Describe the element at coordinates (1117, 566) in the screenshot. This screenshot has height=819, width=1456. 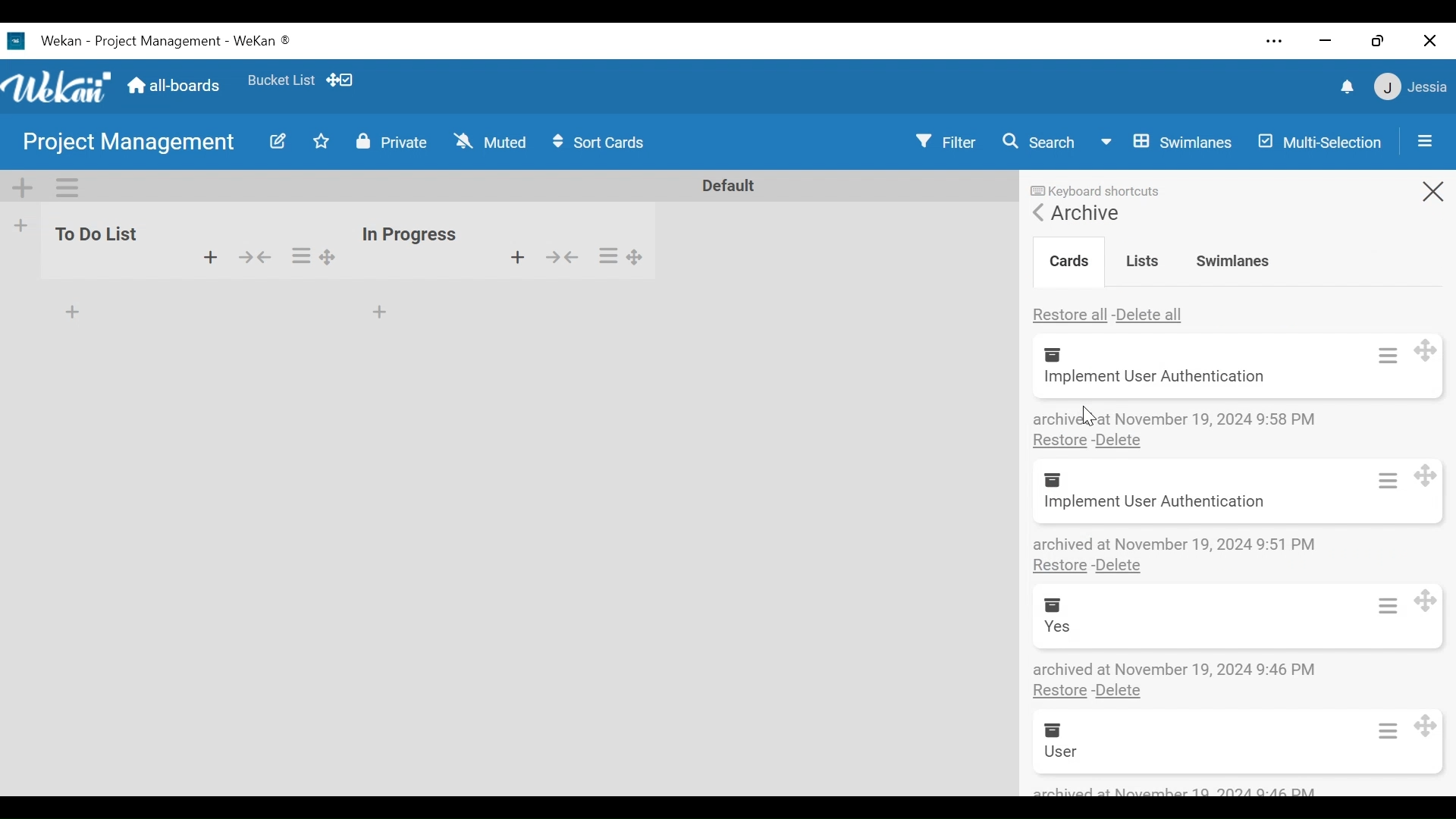
I see `Delete` at that location.